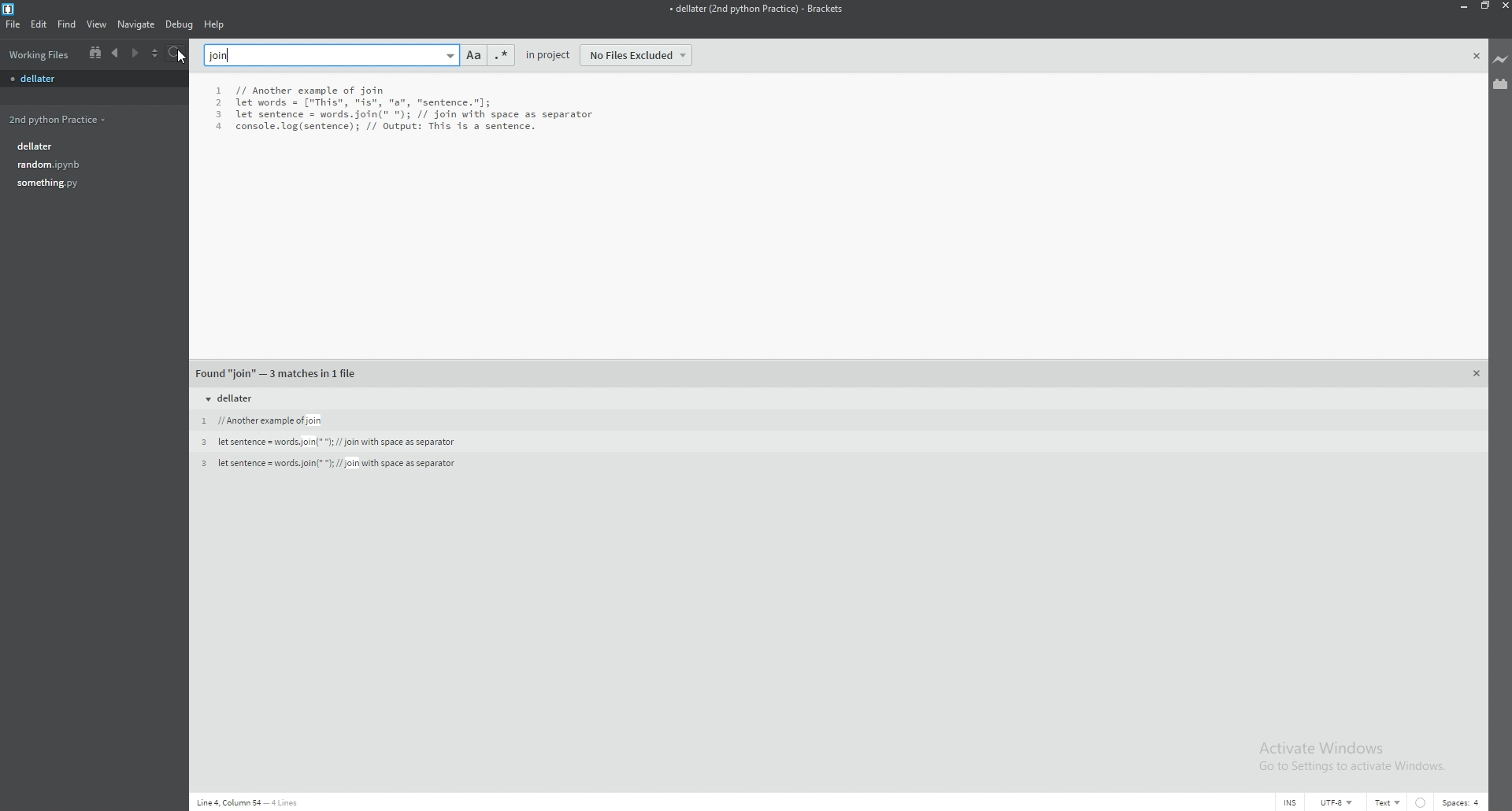  Describe the element at coordinates (342, 465) in the screenshot. I see `3 let sentence =words.join(" *; // join with space as separator` at that location.